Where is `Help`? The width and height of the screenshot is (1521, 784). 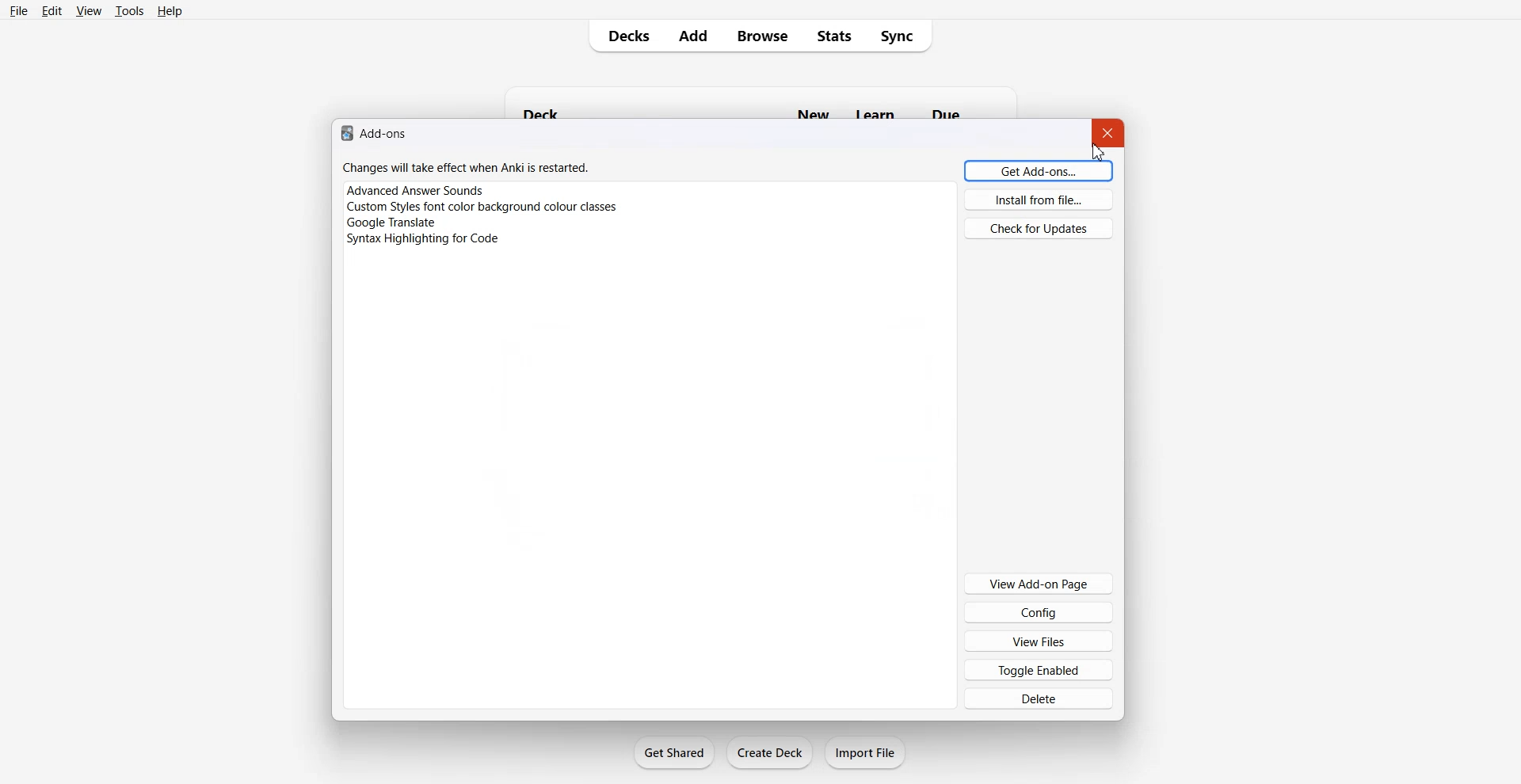
Help is located at coordinates (170, 10).